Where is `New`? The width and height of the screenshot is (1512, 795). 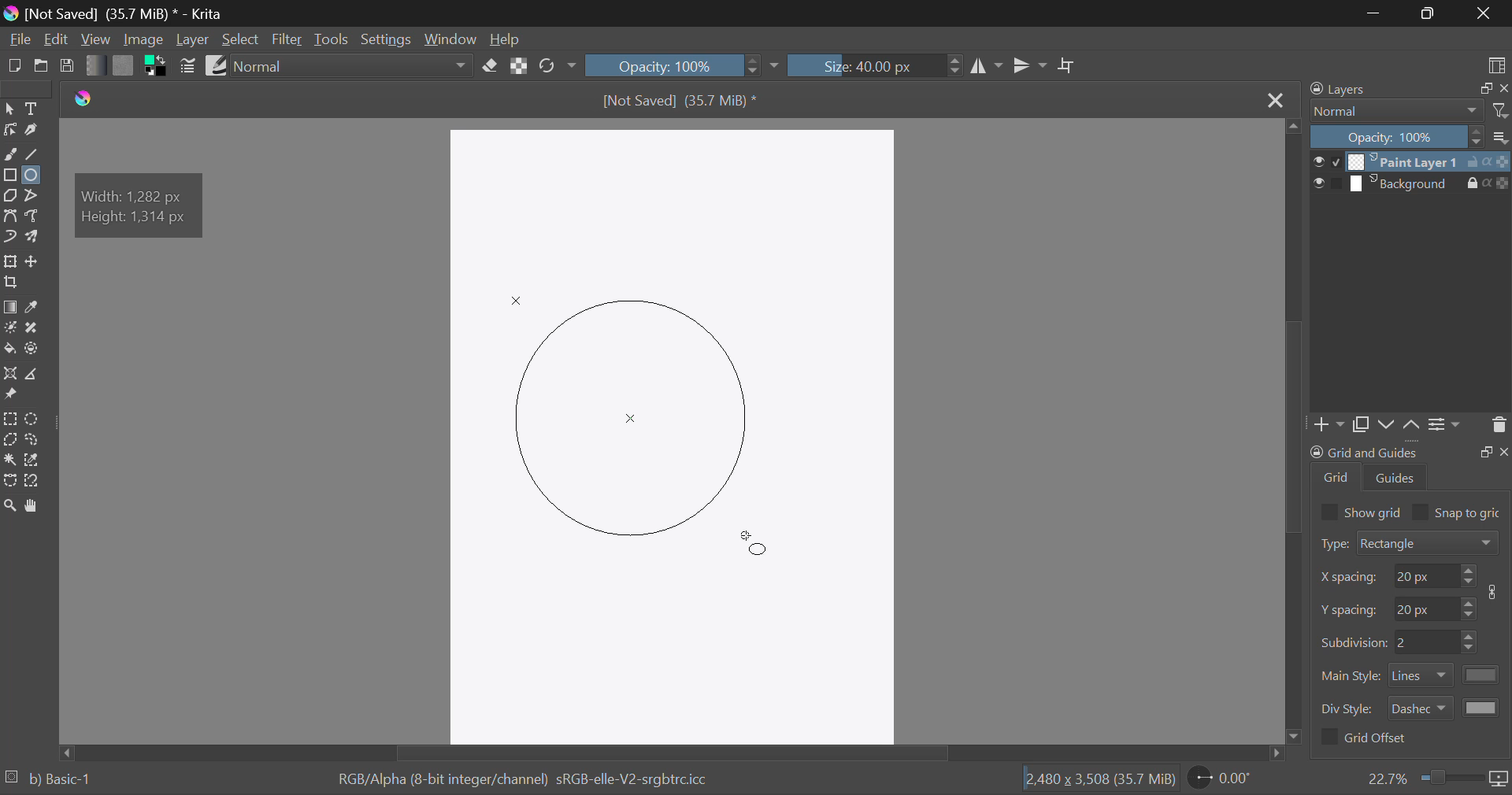
New is located at coordinates (14, 66).